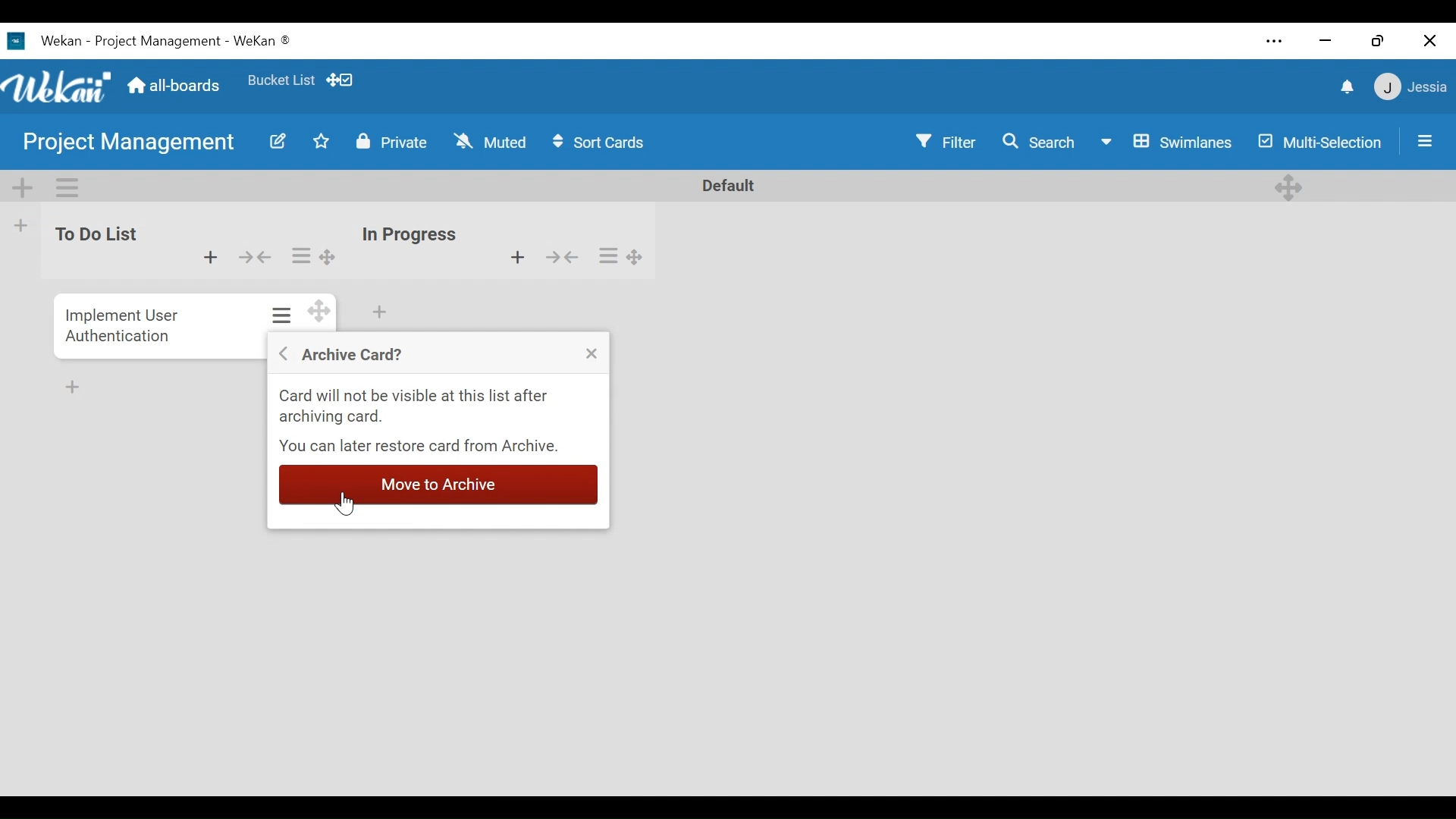  I want to click on Archive Card, so click(349, 354).